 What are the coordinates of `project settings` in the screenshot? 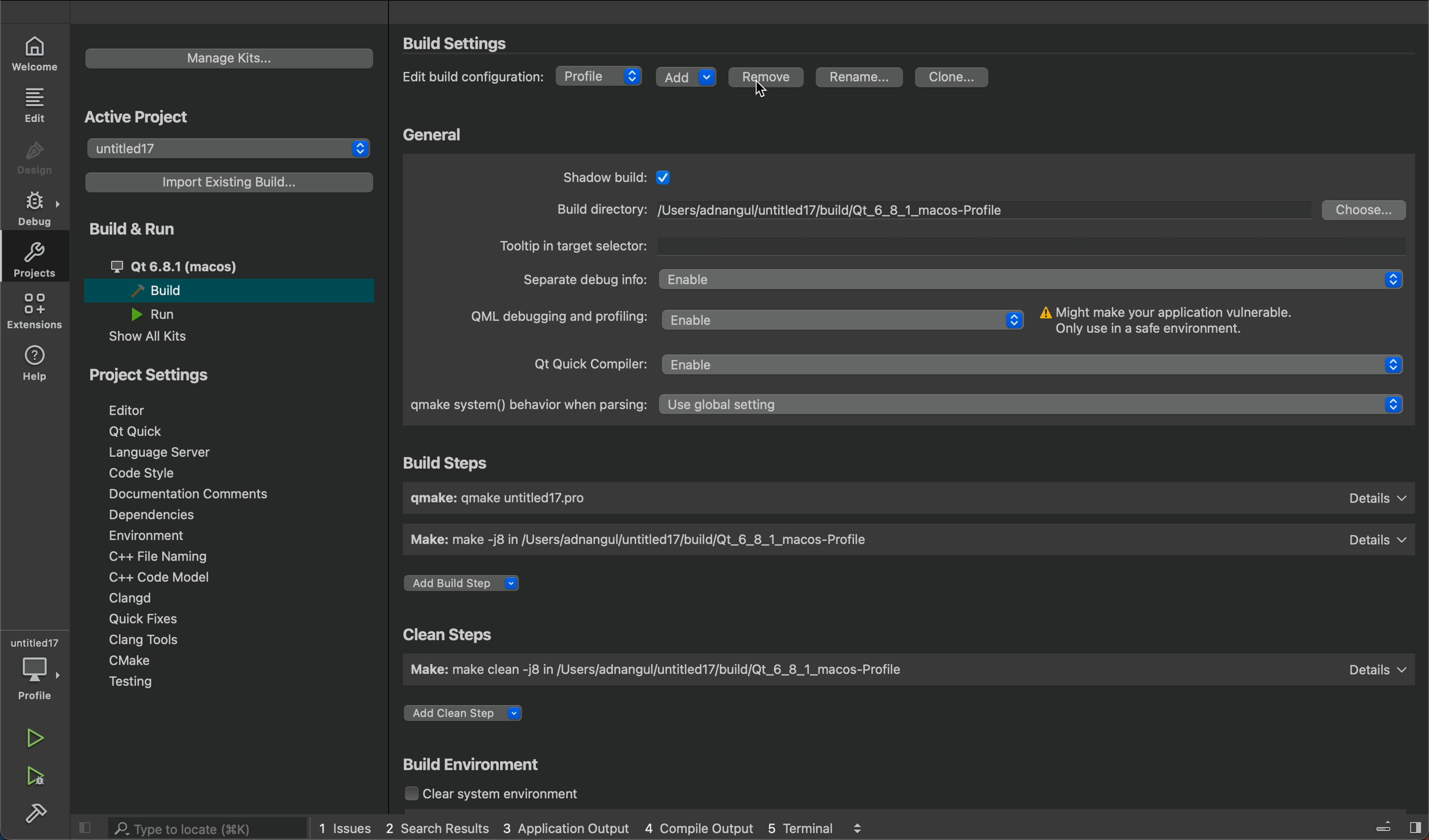 It's located at (235, 375).